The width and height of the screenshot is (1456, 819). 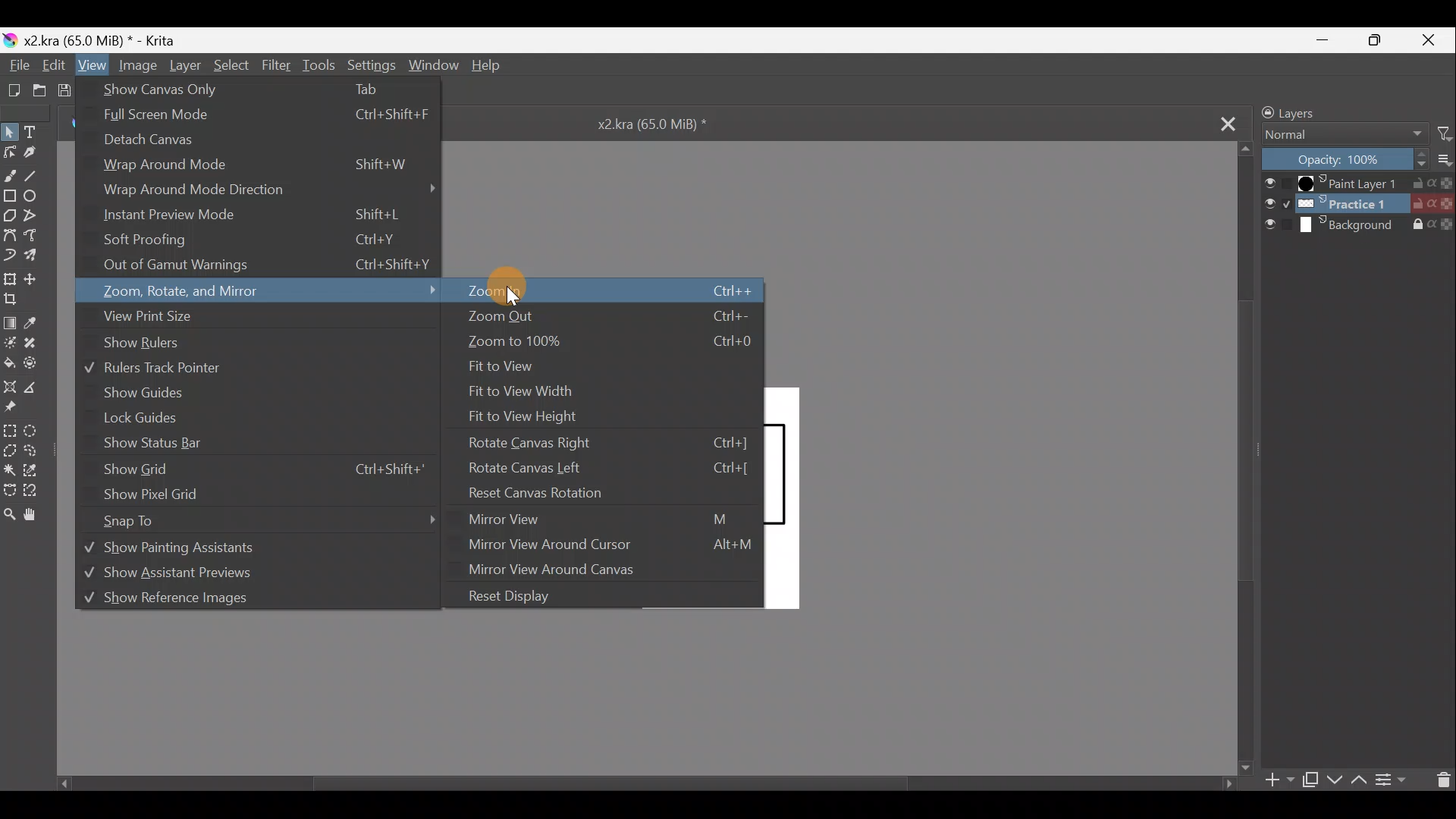 What do you see at coordinates (1318, 111) in the screenshot?
I see `Layers` at bounding box center [1318, 111].